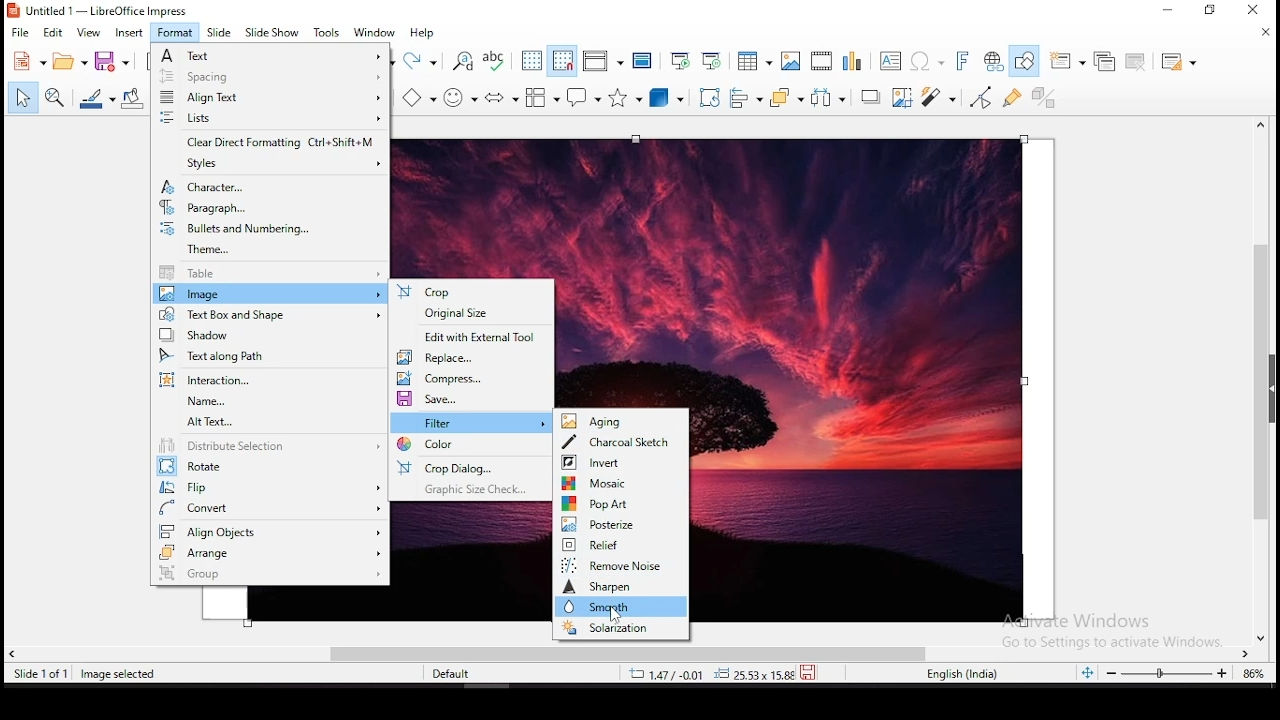 The image size is (1280, 720). I want to click on spacing, so click(270, 77).